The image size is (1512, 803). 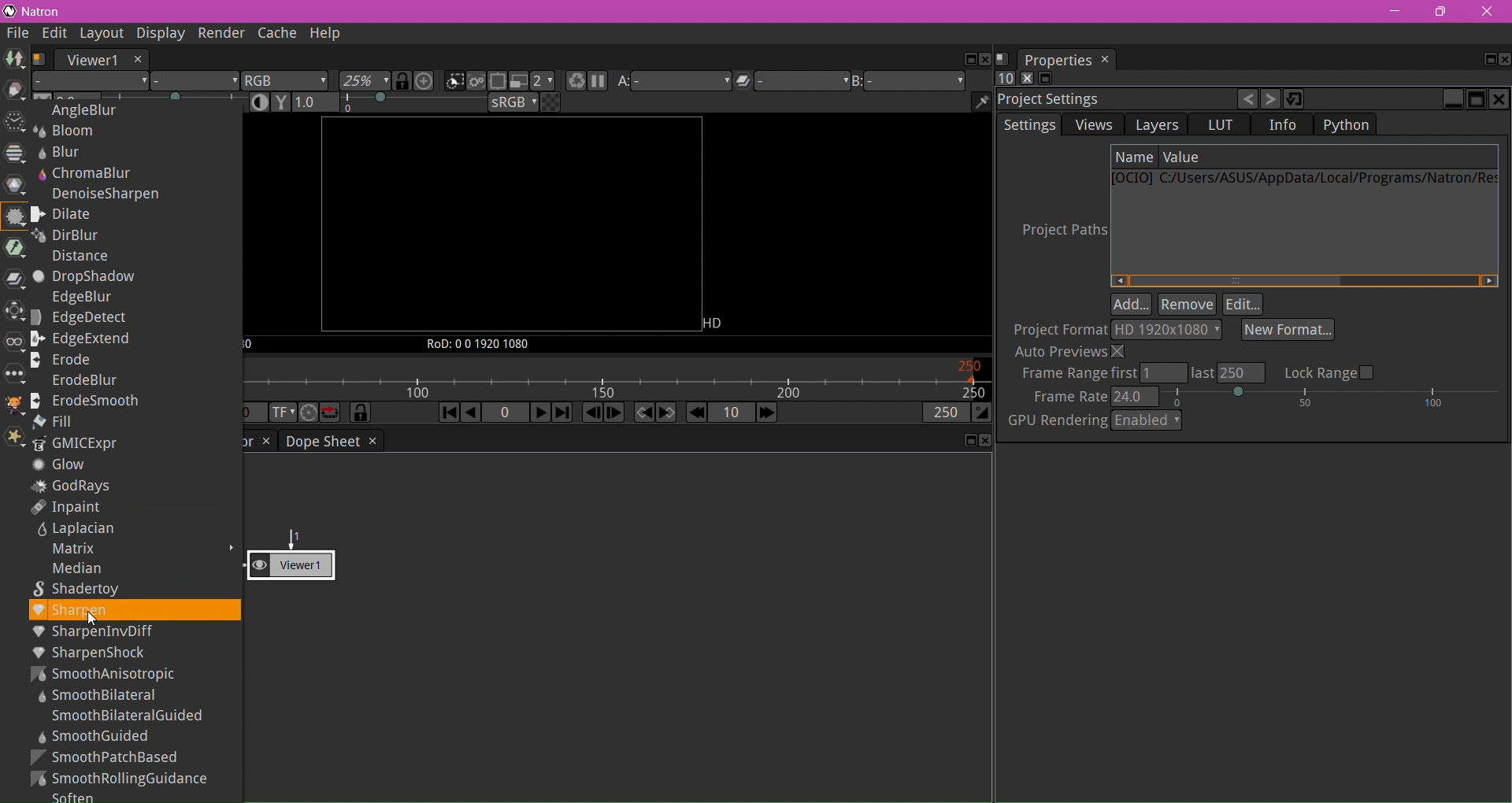 I want to click on Erode, so click(x=70, y=360).